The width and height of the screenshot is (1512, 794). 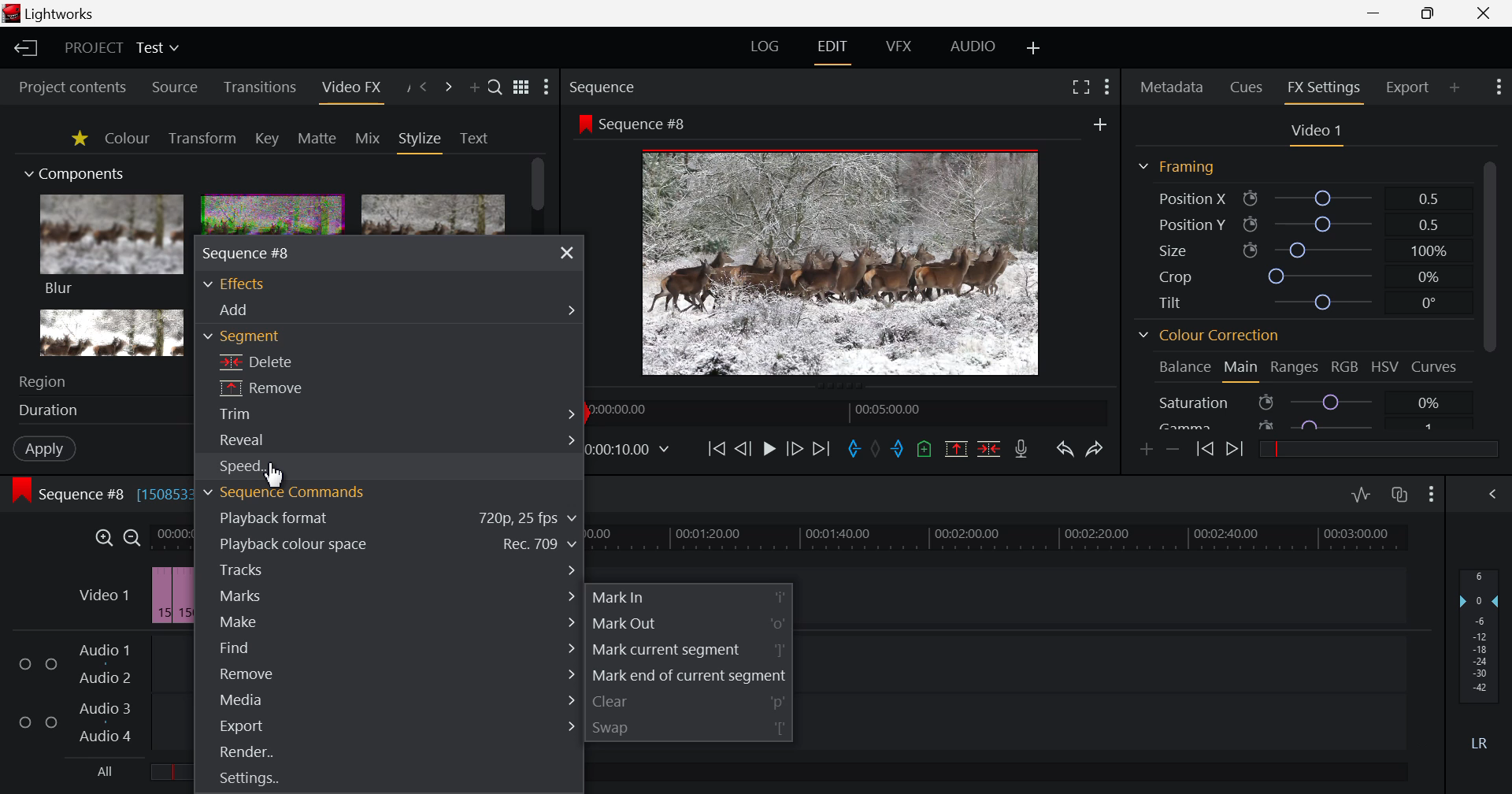 I want to click on VFX Layout, so click(x=898, y=47).